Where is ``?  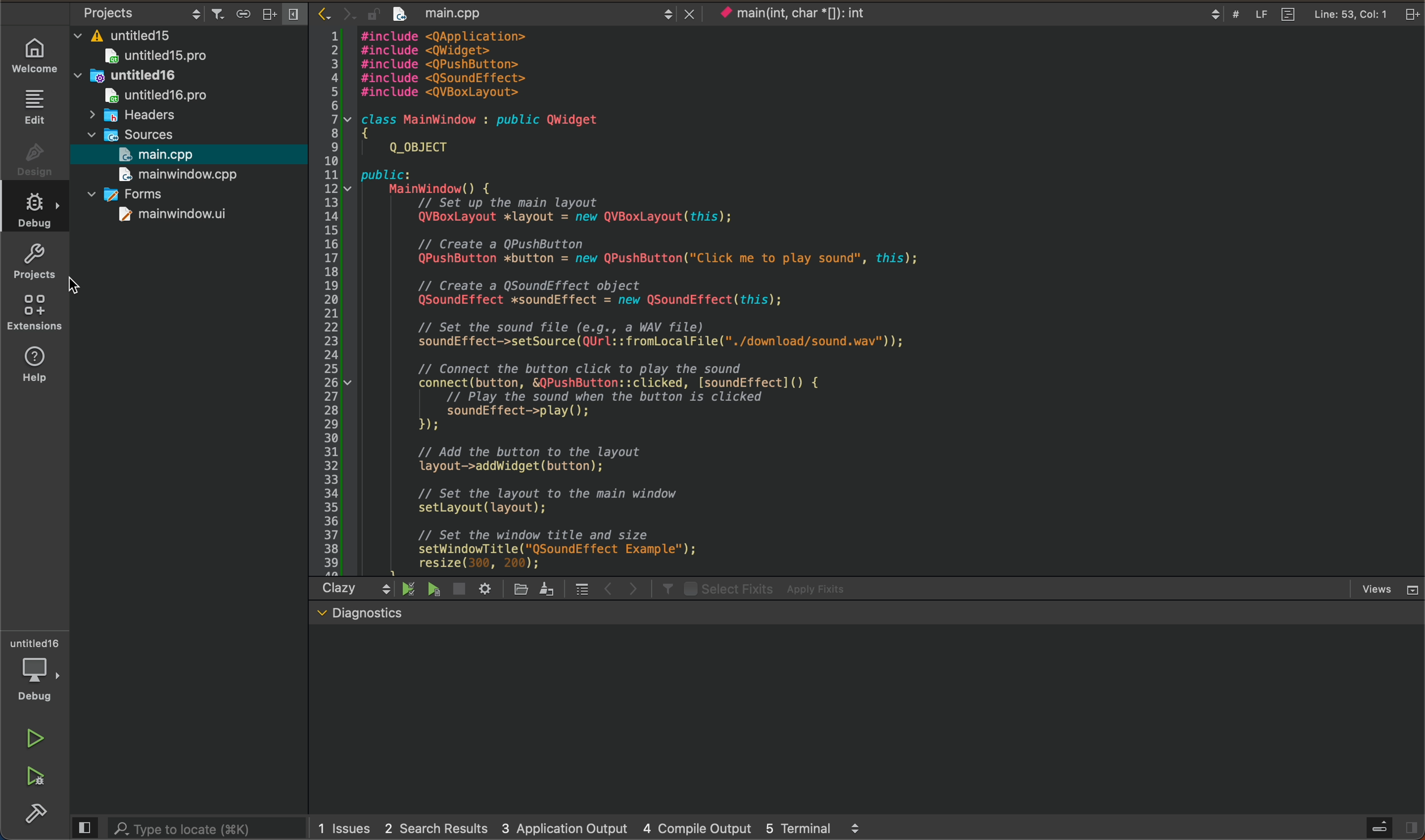  is located at coordinates (139, 114).